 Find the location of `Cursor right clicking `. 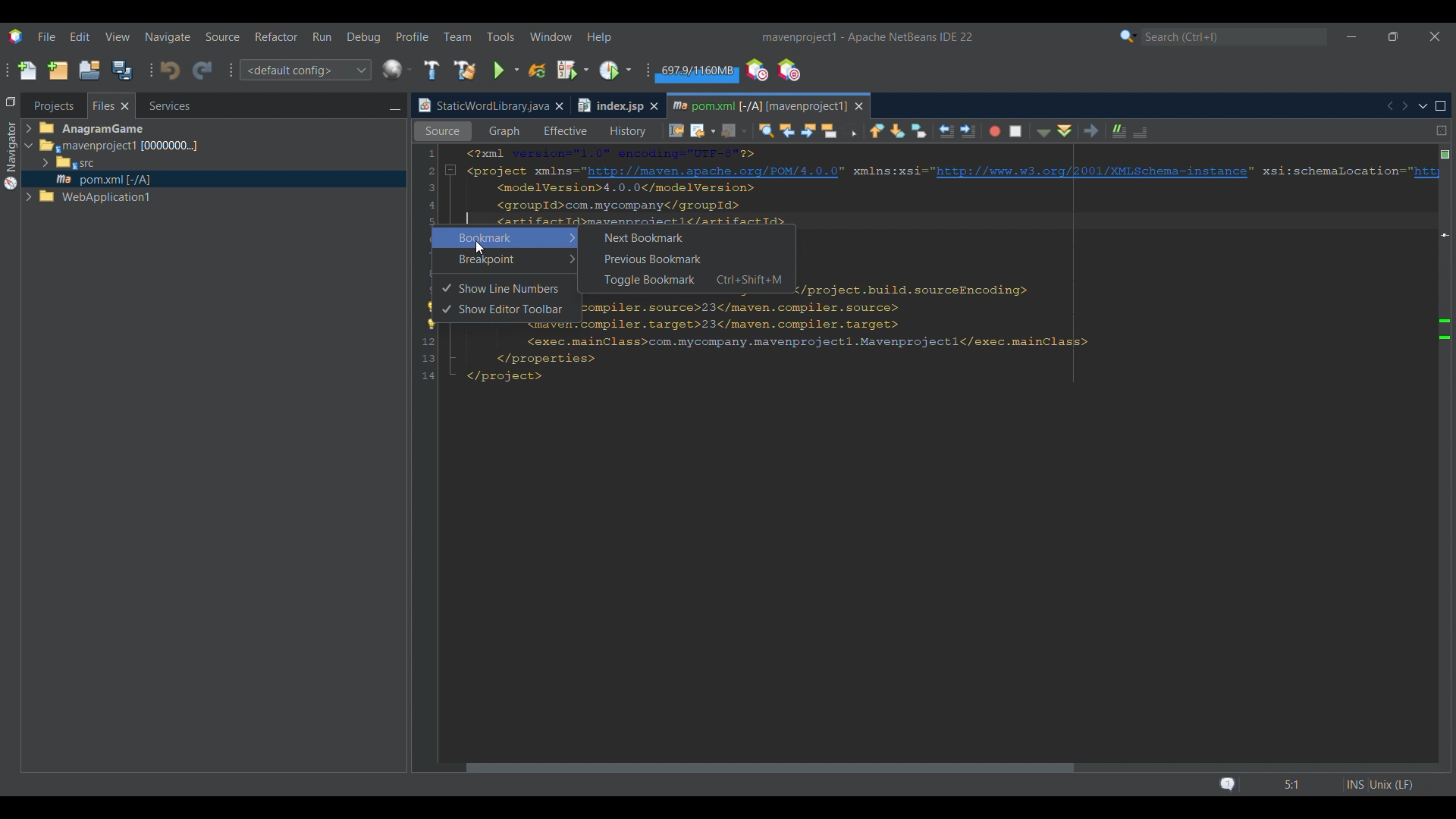

Cursor right clicking  is located at coordinates (436, 231).